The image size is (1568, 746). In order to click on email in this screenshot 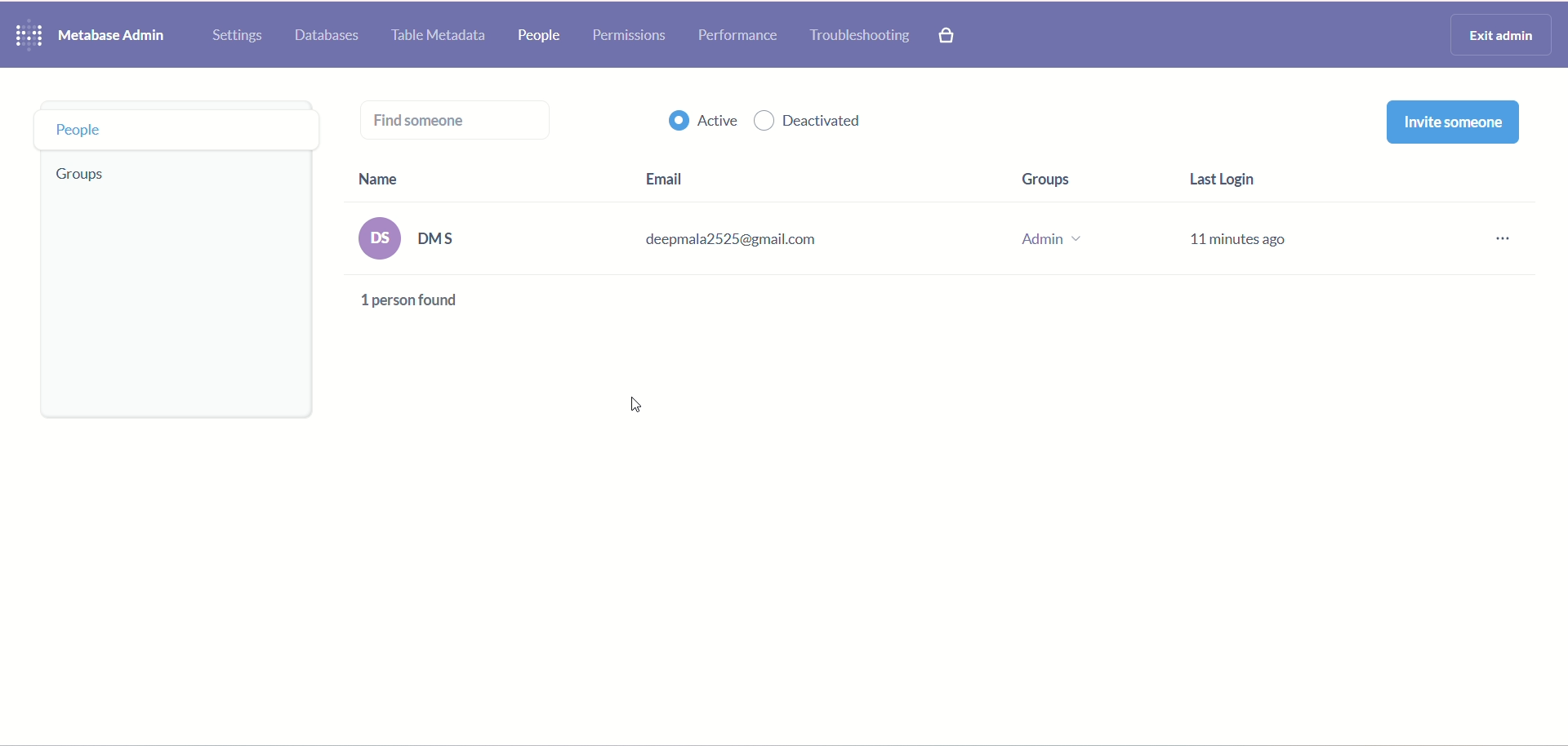, I will do `click(755, 221)`.